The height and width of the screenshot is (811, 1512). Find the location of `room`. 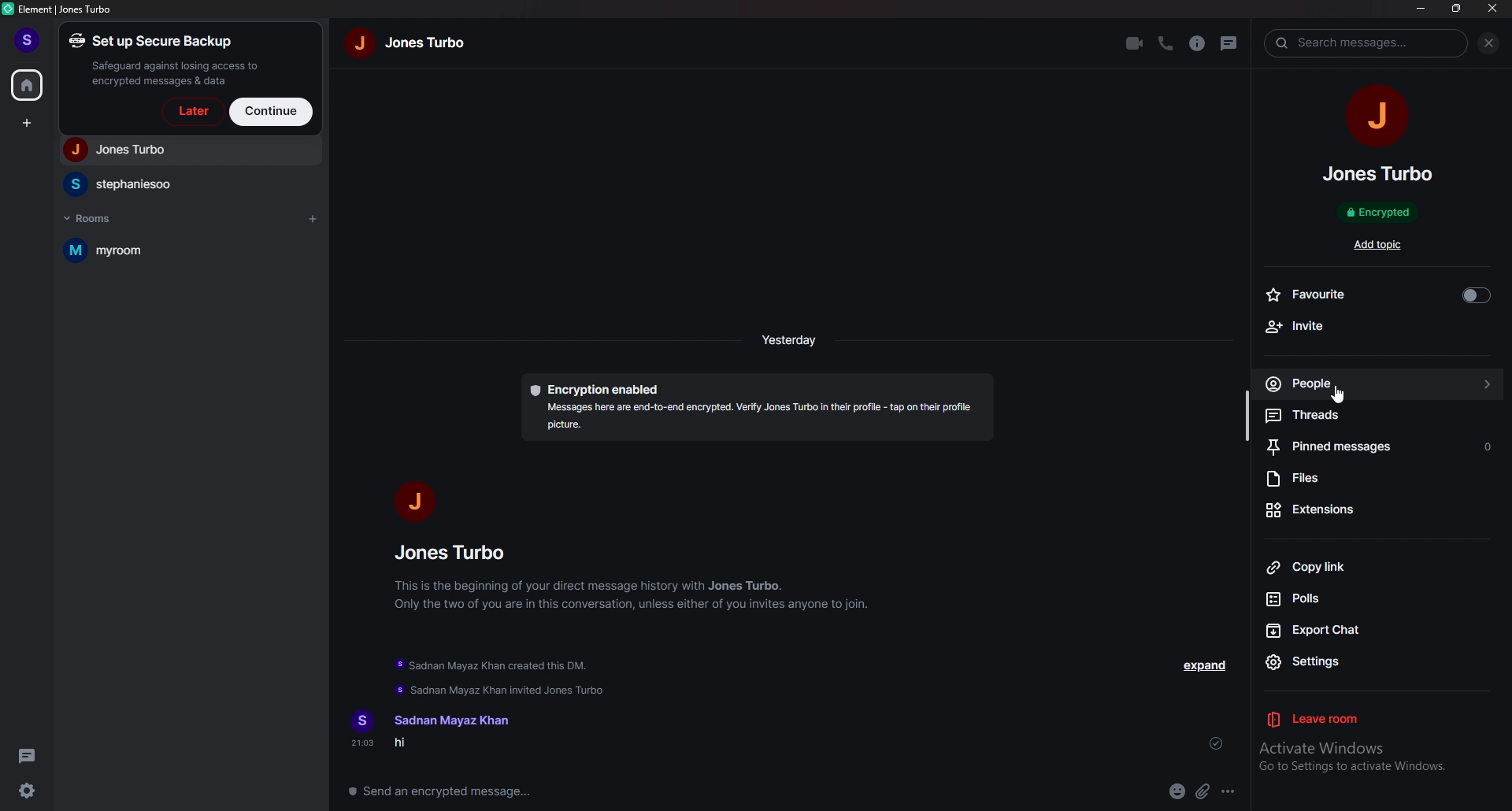

room is located at coordinates (181, 251).